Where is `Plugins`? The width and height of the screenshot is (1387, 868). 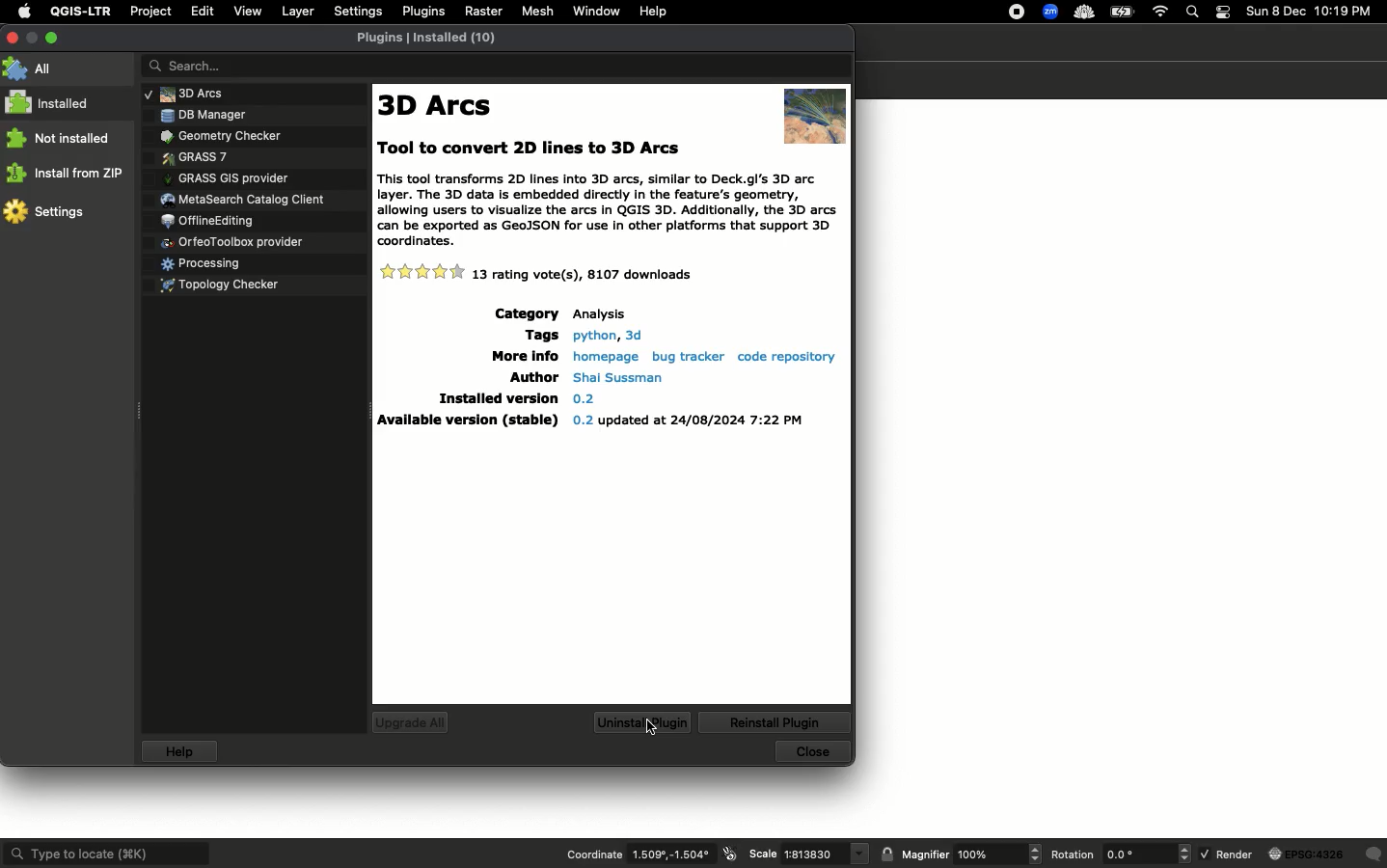
Plugins is located at coordinates (423, 12).